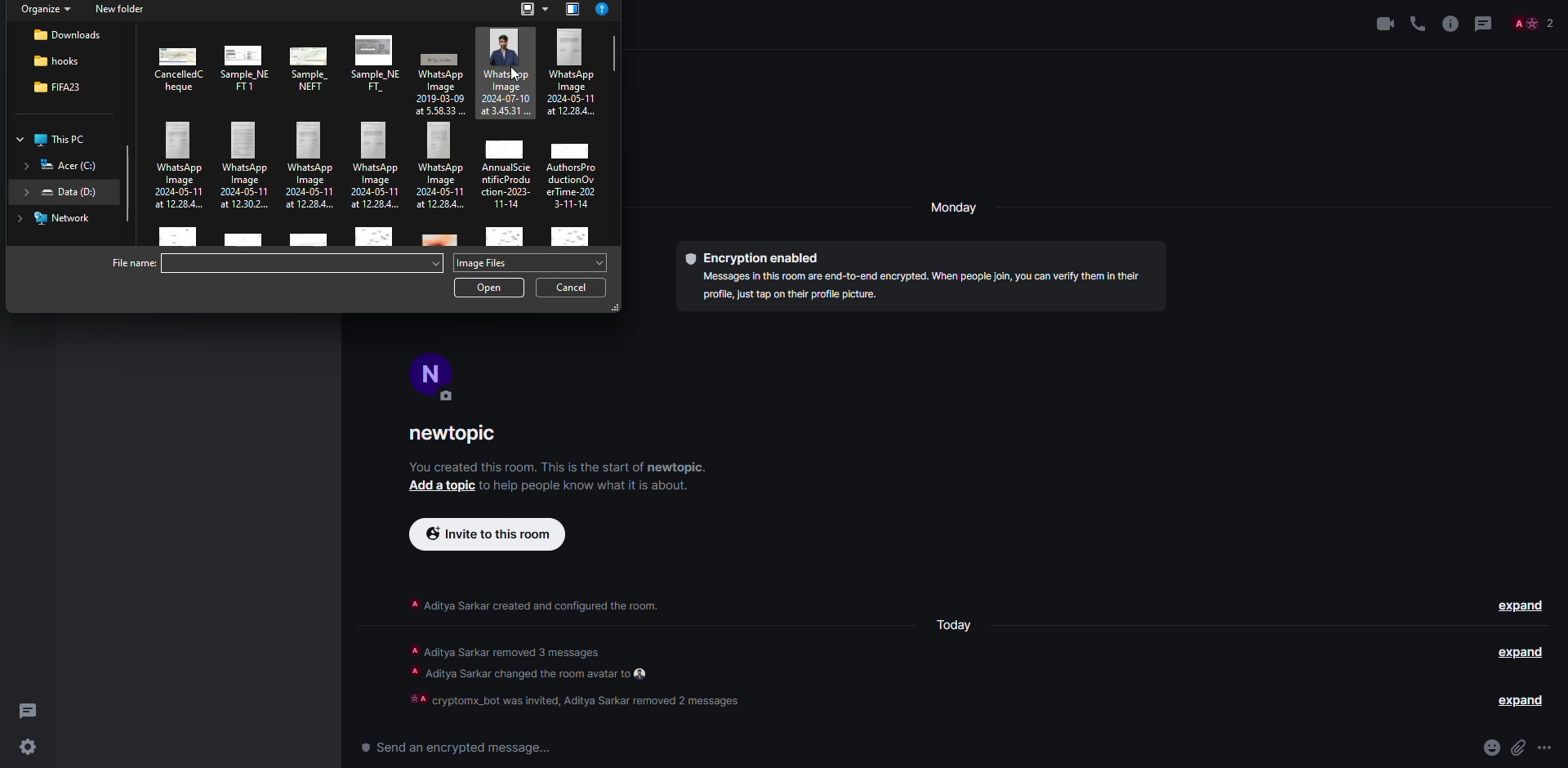 The image size is (1568, 768). Describe the element at coordinates (573, 10) in the screenshot. I see `list` at that location.